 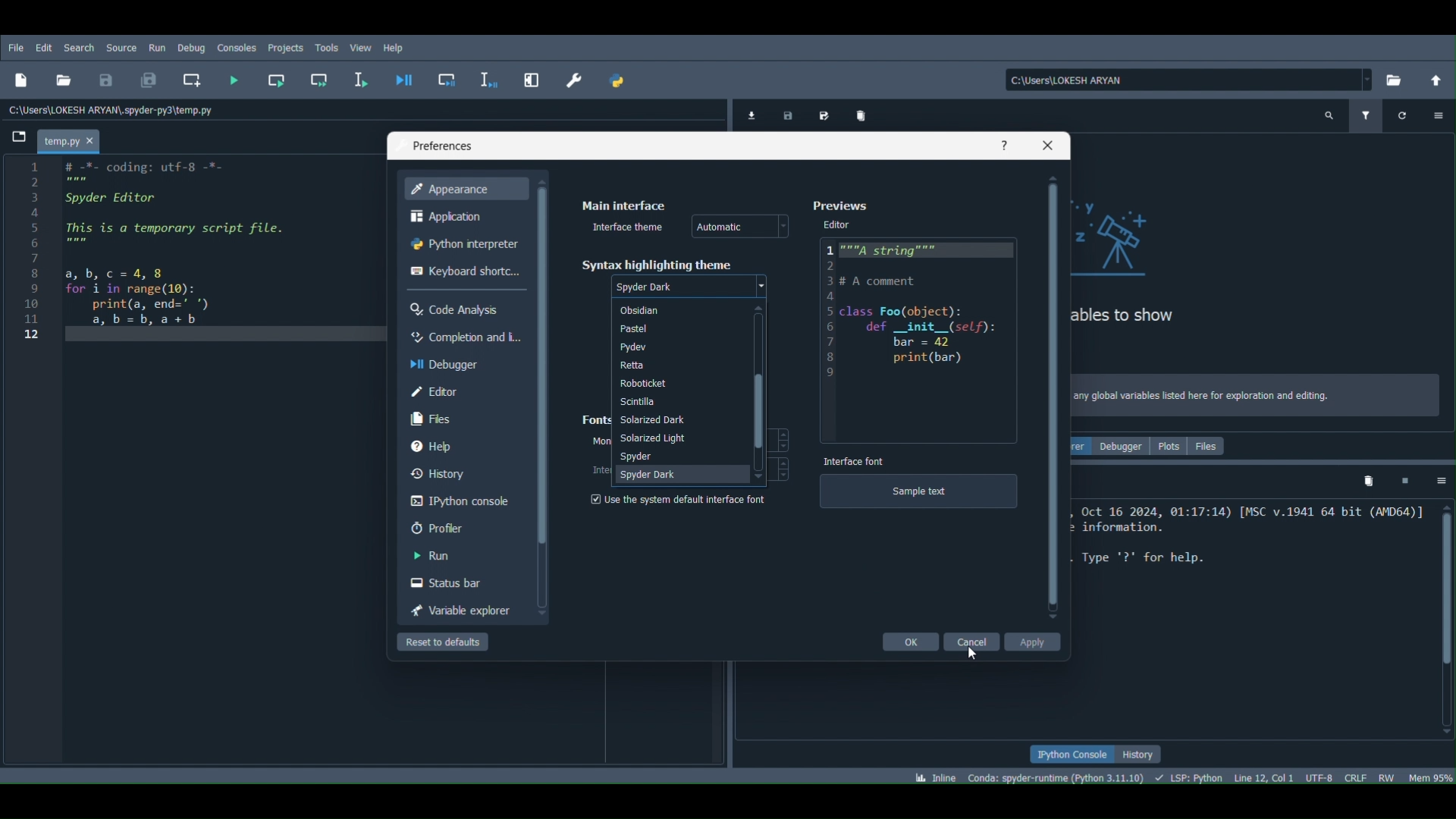 What do you see at coordinates (361, 47) in the screenshot?
I see `View` at bounding box center [361, 47].